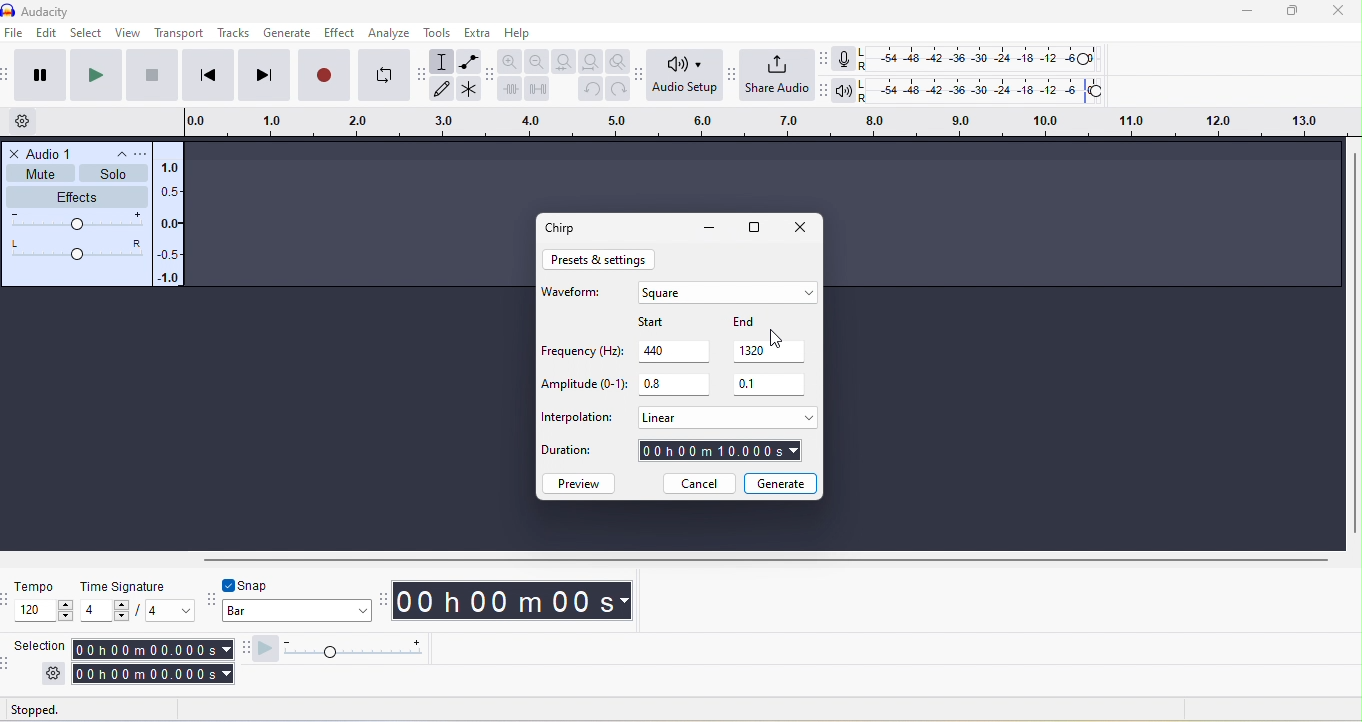 The image size is (1362, 722). What do you see at coordinates (181, 34) in the screenshot?
I see `transport` at bounding box center [181, 34].